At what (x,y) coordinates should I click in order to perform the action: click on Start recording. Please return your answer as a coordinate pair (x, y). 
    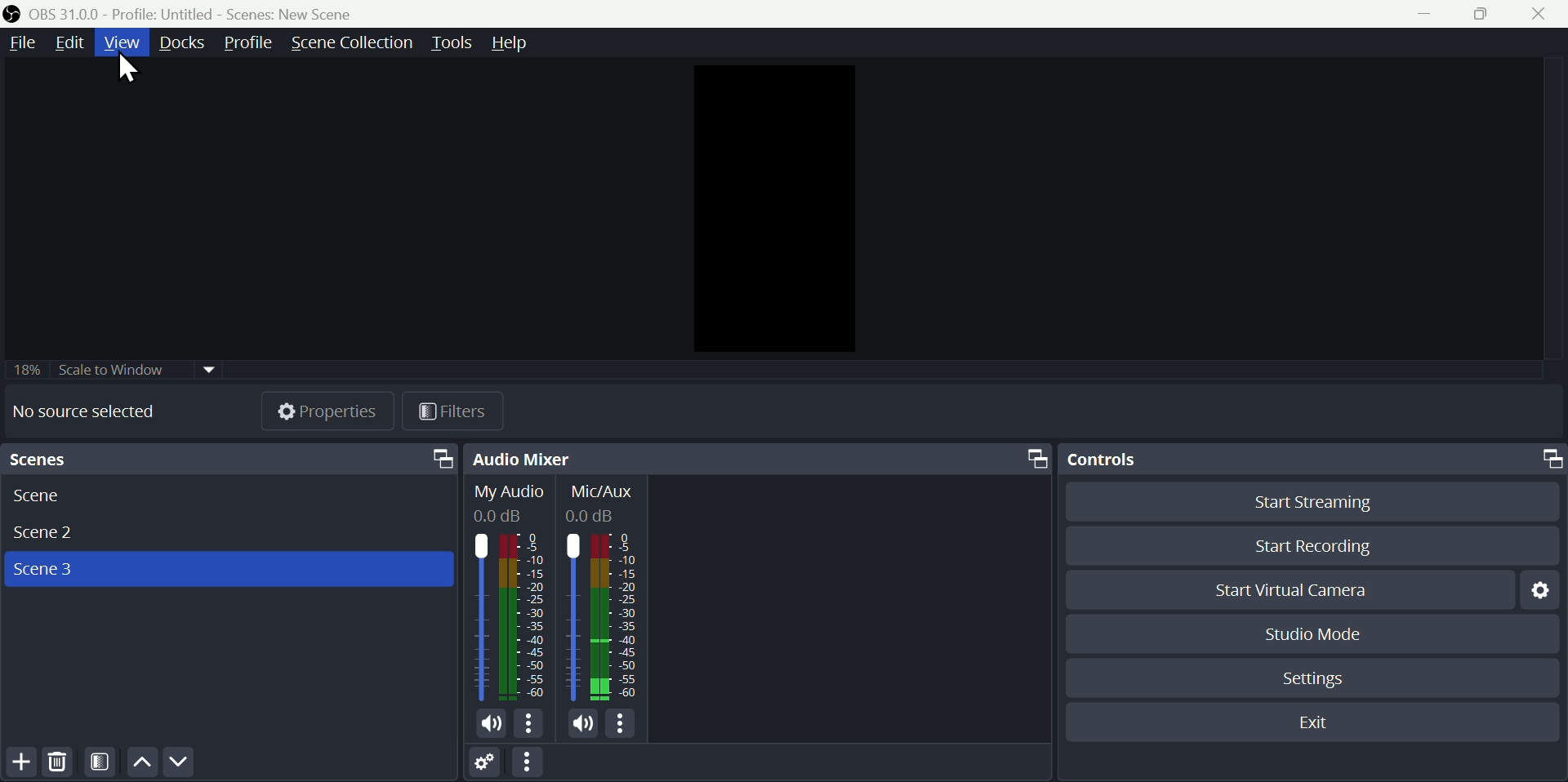
    Looking at the image, I should click on (1321, 544).